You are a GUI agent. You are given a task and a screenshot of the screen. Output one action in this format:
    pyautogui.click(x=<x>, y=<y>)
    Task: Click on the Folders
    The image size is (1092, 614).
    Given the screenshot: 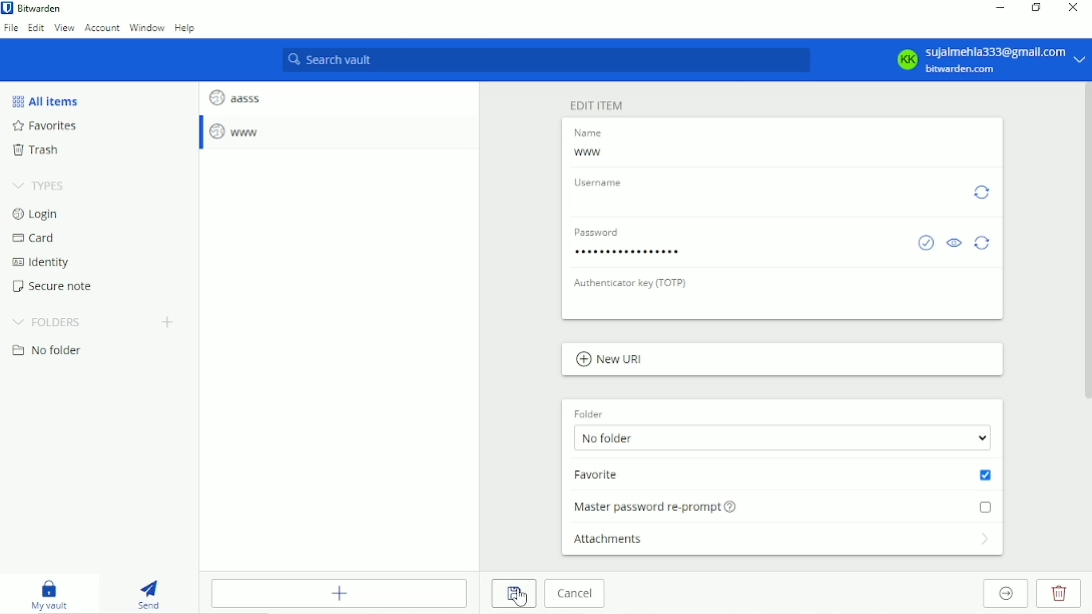 What is the action you would take?
    pyautogui.click(x=46, y=322)
    